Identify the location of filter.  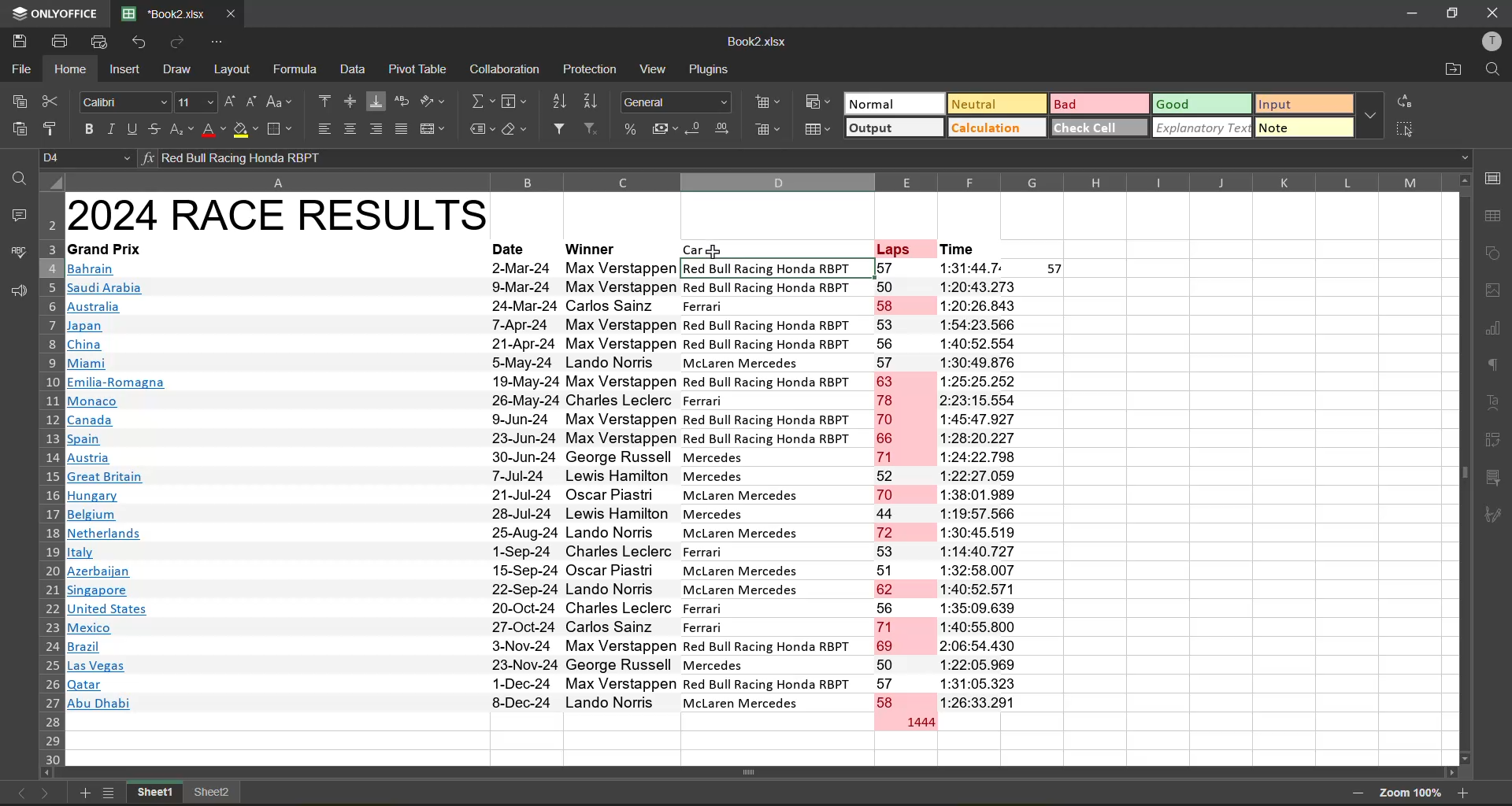
(561, 130).